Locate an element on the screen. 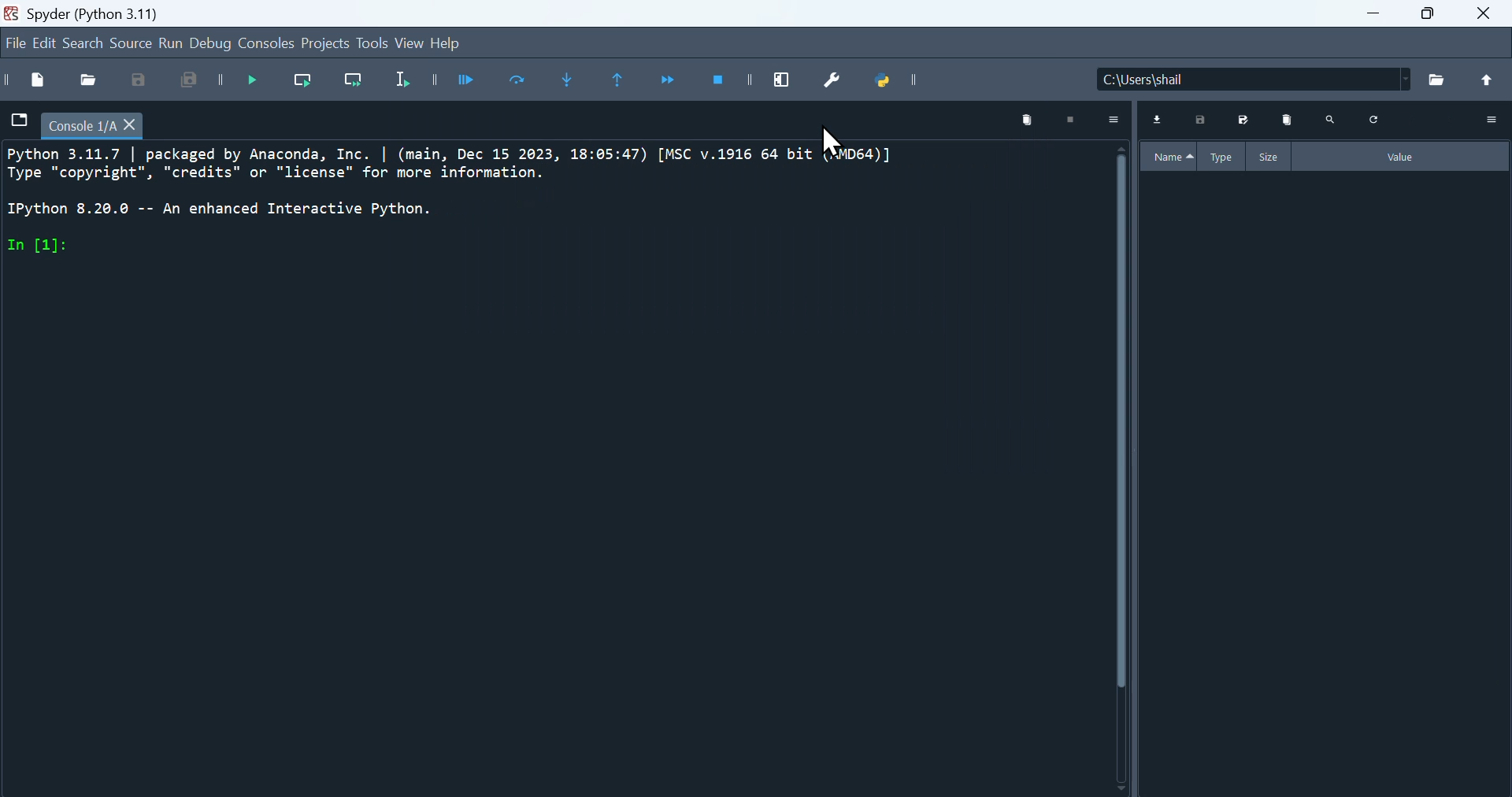 Image resolution: width=1512 pixels, height=797 pixels. Spyder is located at coordinates (122, 11).